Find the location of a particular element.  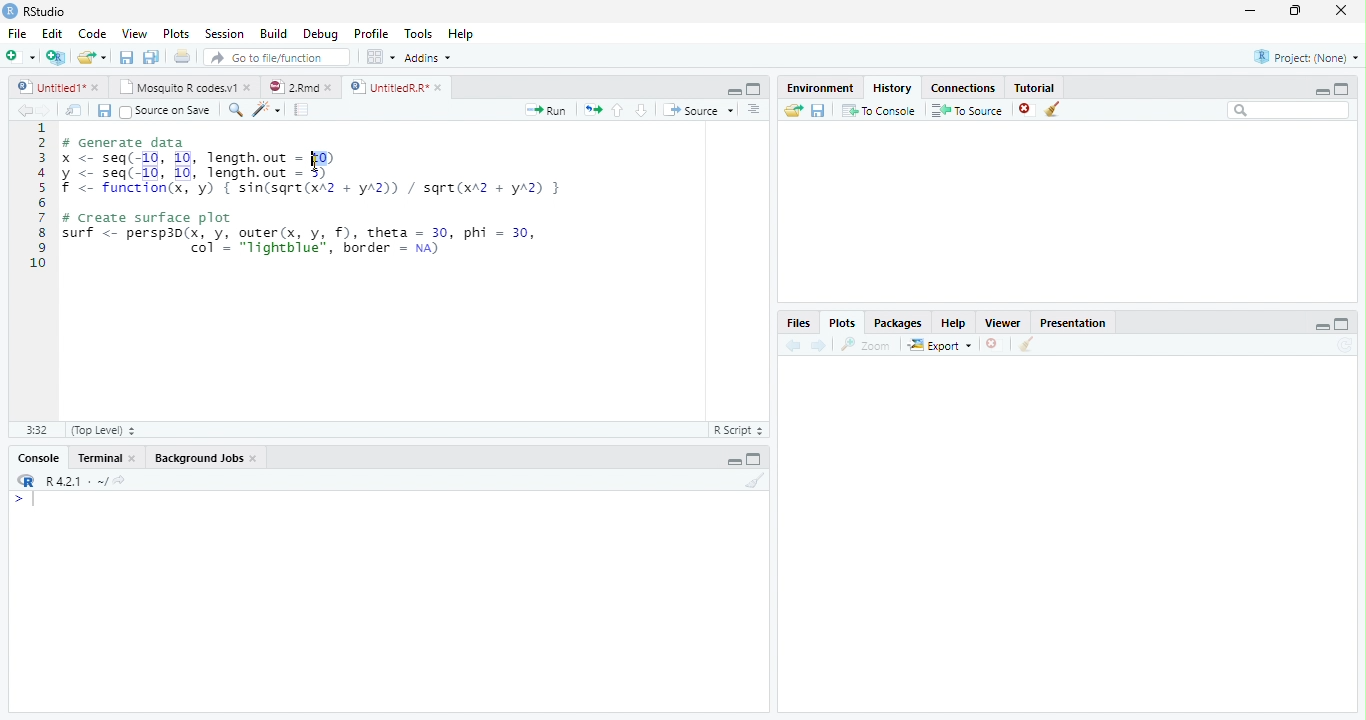

New file is located at coordinates (19, 57).